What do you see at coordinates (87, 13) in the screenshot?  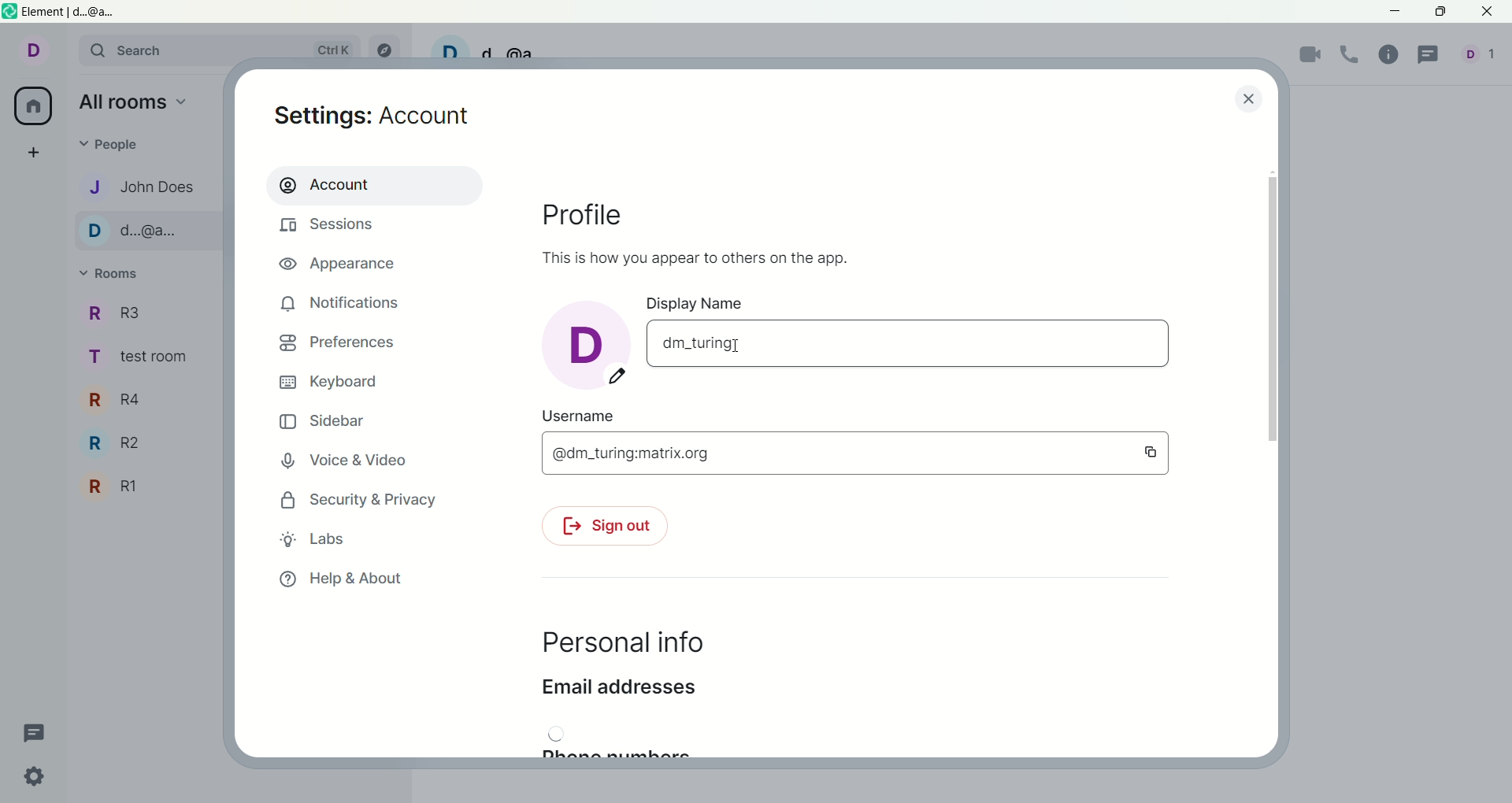 I see `element|d..@a..` at bounding box center [87, 13].